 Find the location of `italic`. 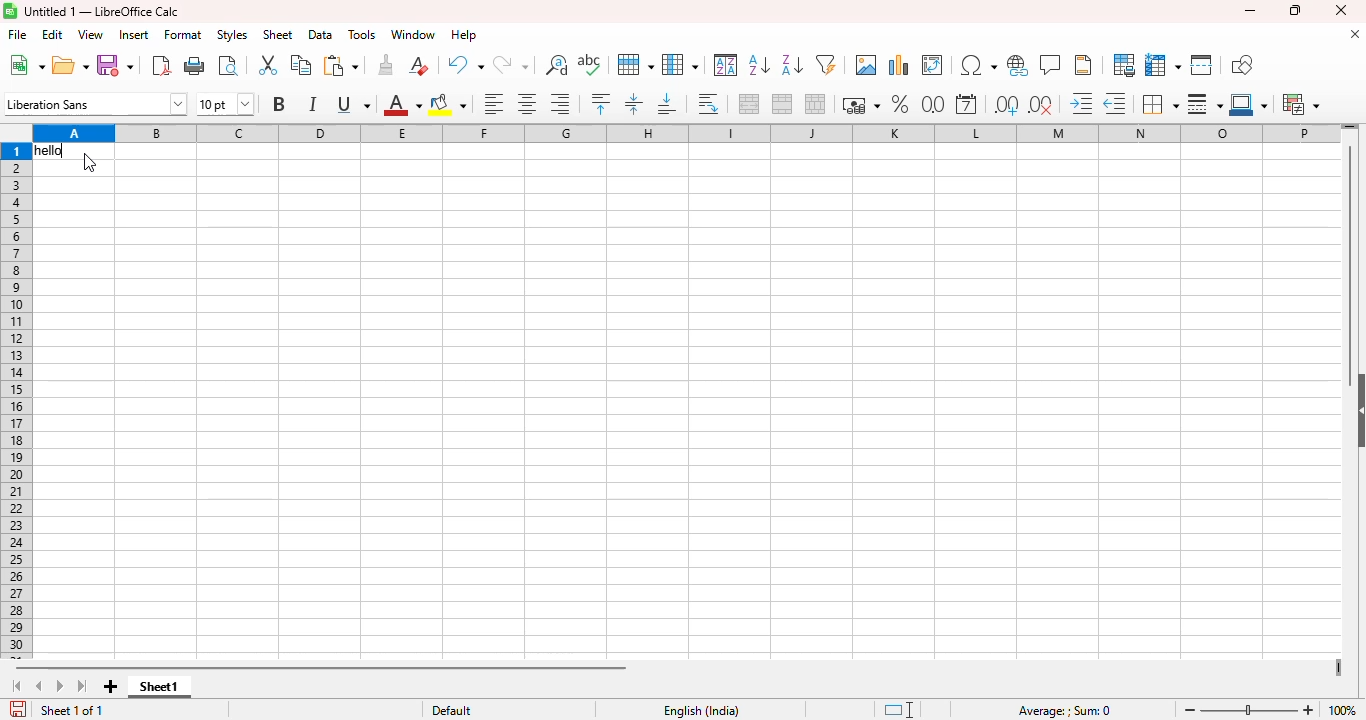

italic is located at coordinates (312, 104).